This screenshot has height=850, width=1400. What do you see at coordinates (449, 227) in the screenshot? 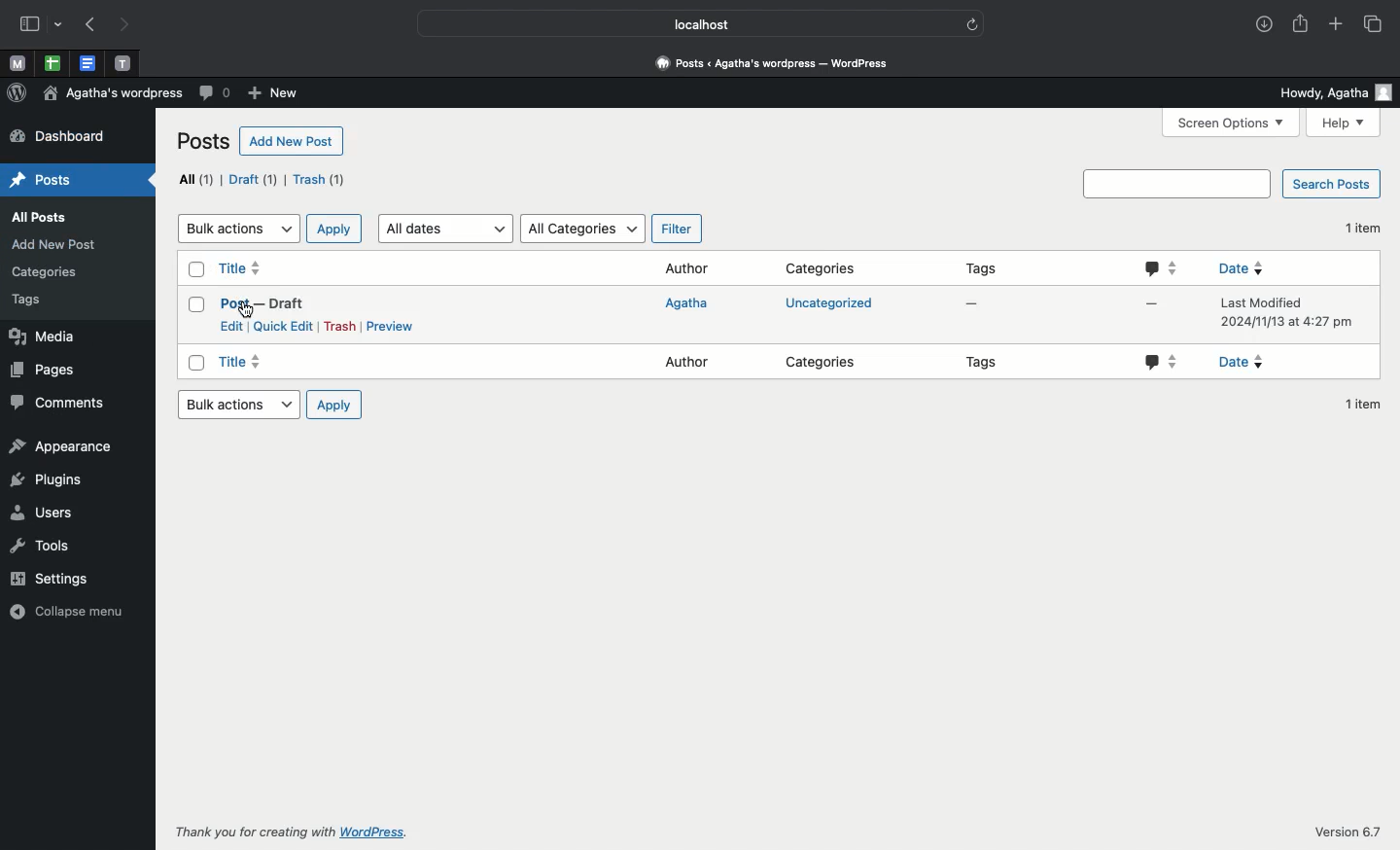
I see `All dates` at bounding box center [449, 227].